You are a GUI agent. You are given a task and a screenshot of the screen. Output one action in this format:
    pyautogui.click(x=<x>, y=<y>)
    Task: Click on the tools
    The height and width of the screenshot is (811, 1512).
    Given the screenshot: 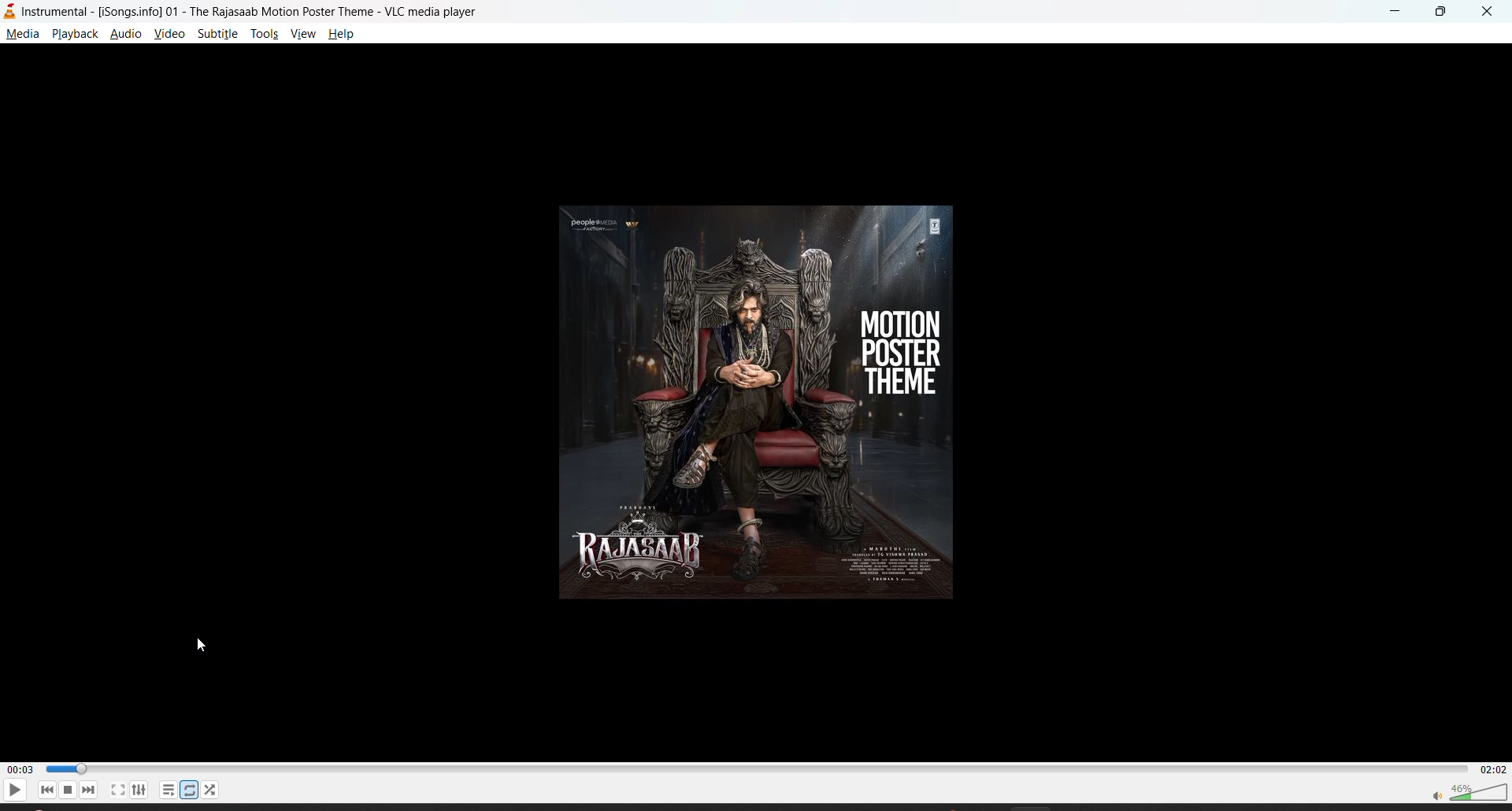 What is the action you would take?
    pyautogui.click(x=265, y=32)
    